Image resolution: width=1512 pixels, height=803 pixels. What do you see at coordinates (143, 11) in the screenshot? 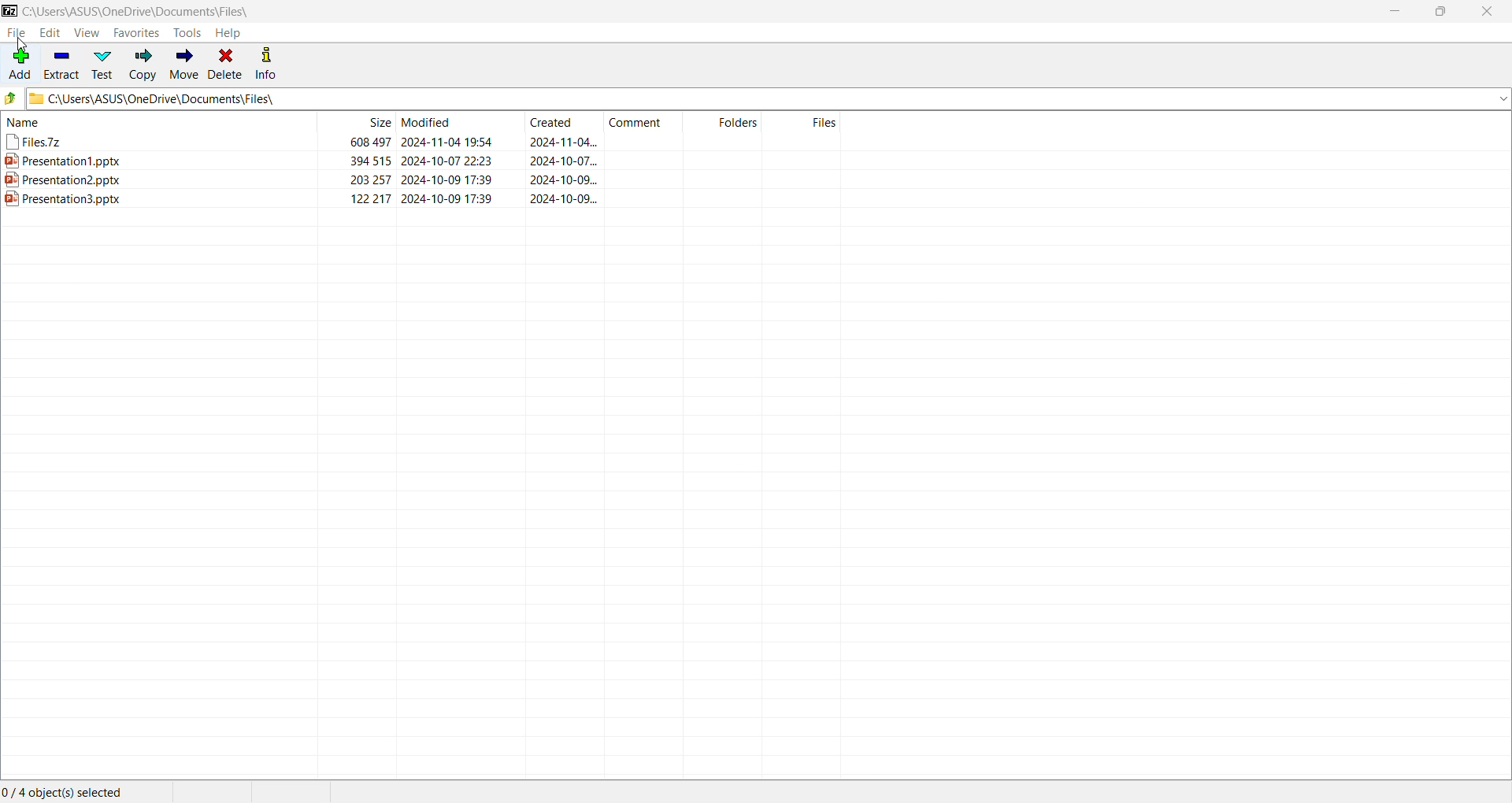
I see `Current Folder Path` at bounding box center [143, 11].